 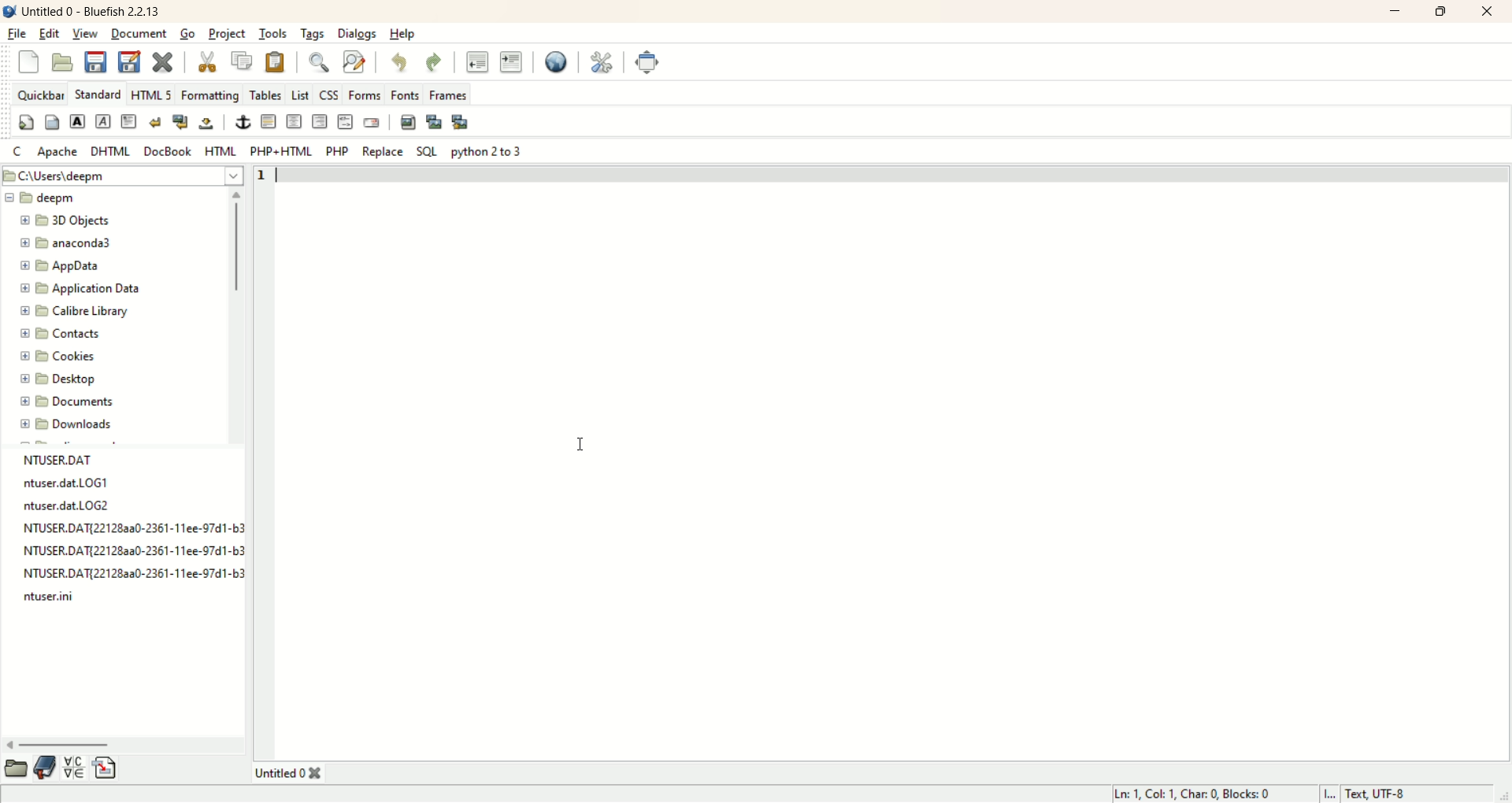 I want to click on multi-thumbnails, so click(x=461, y=121).